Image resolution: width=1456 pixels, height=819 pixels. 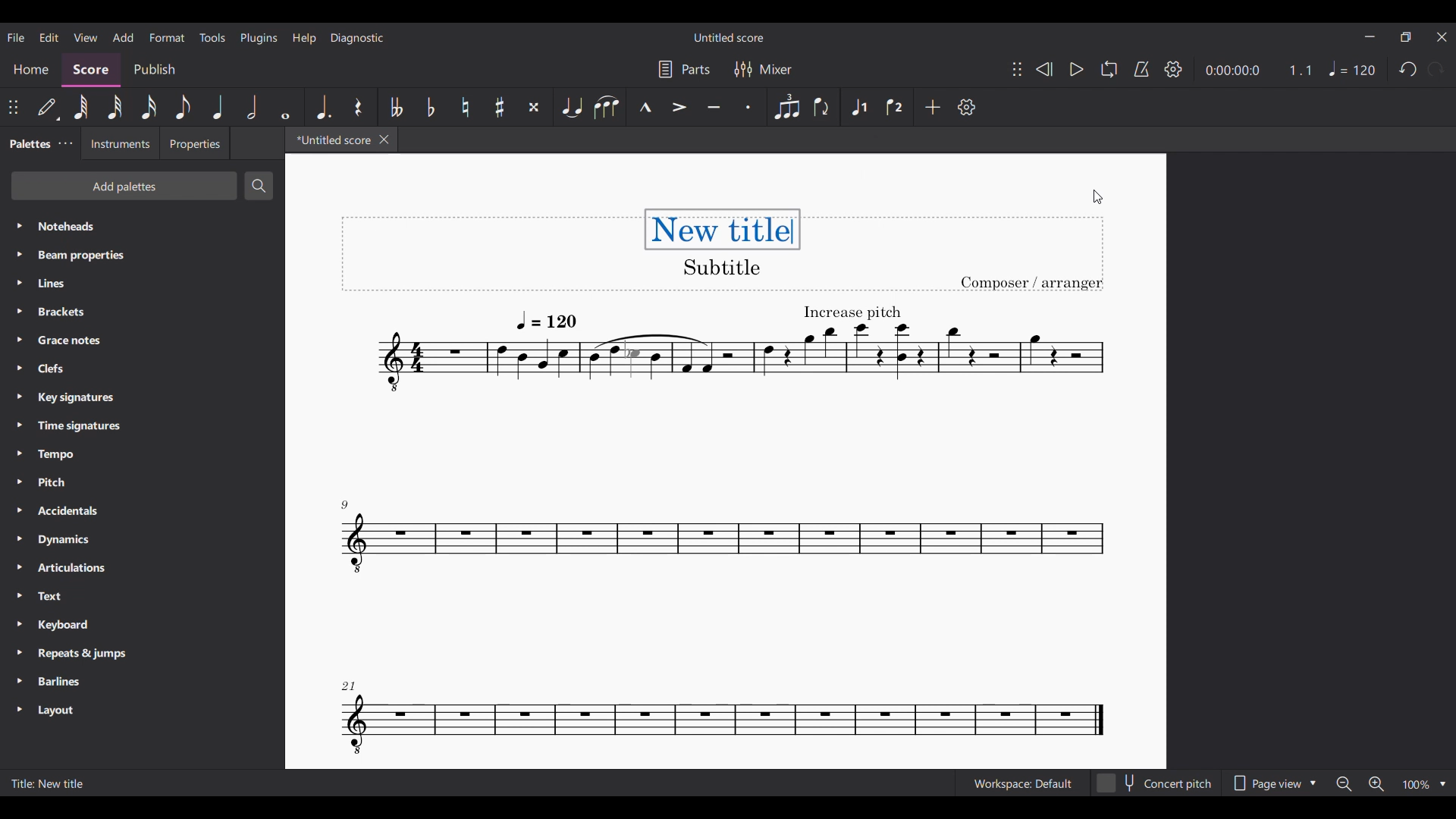 What do you see at coordinates (86, 37) in the screenshot?
I see `View menu ` at bounding box center [86, 37].